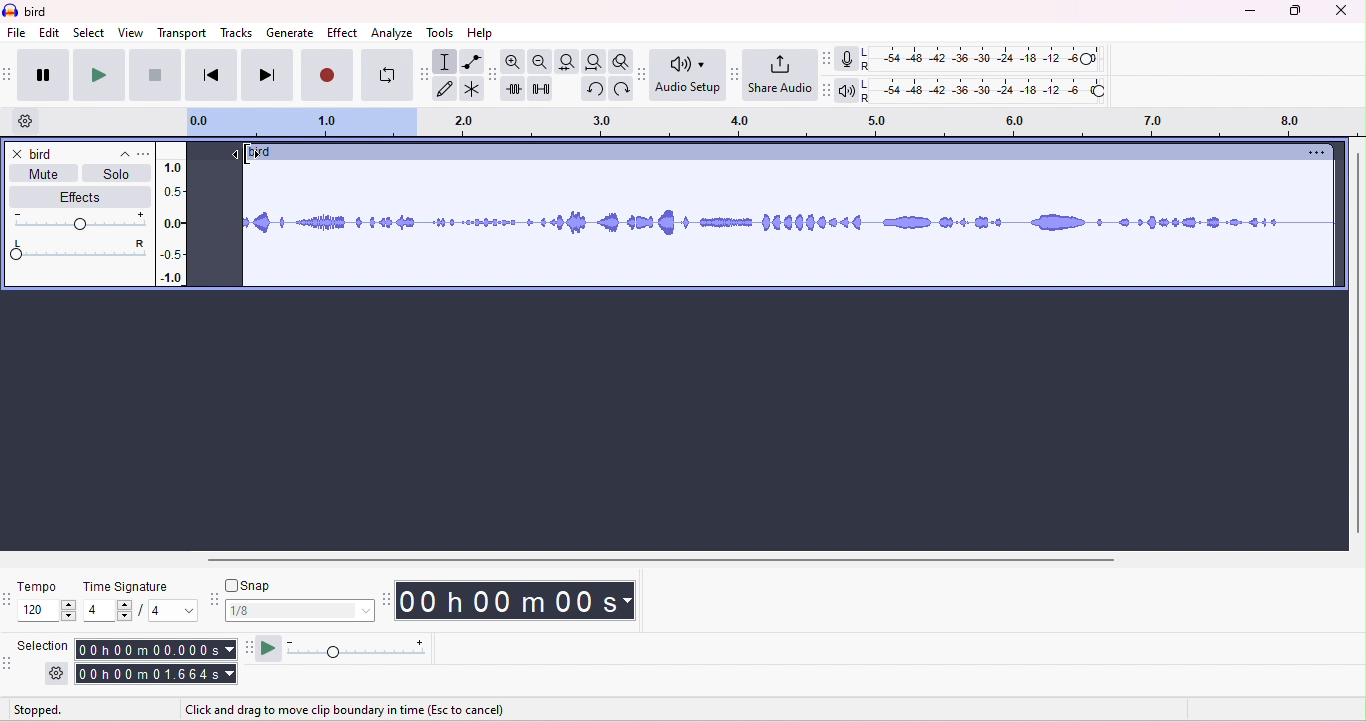 The height and width of the screenshot is (722, 1366). I want to click on solo, so click(116, 177).